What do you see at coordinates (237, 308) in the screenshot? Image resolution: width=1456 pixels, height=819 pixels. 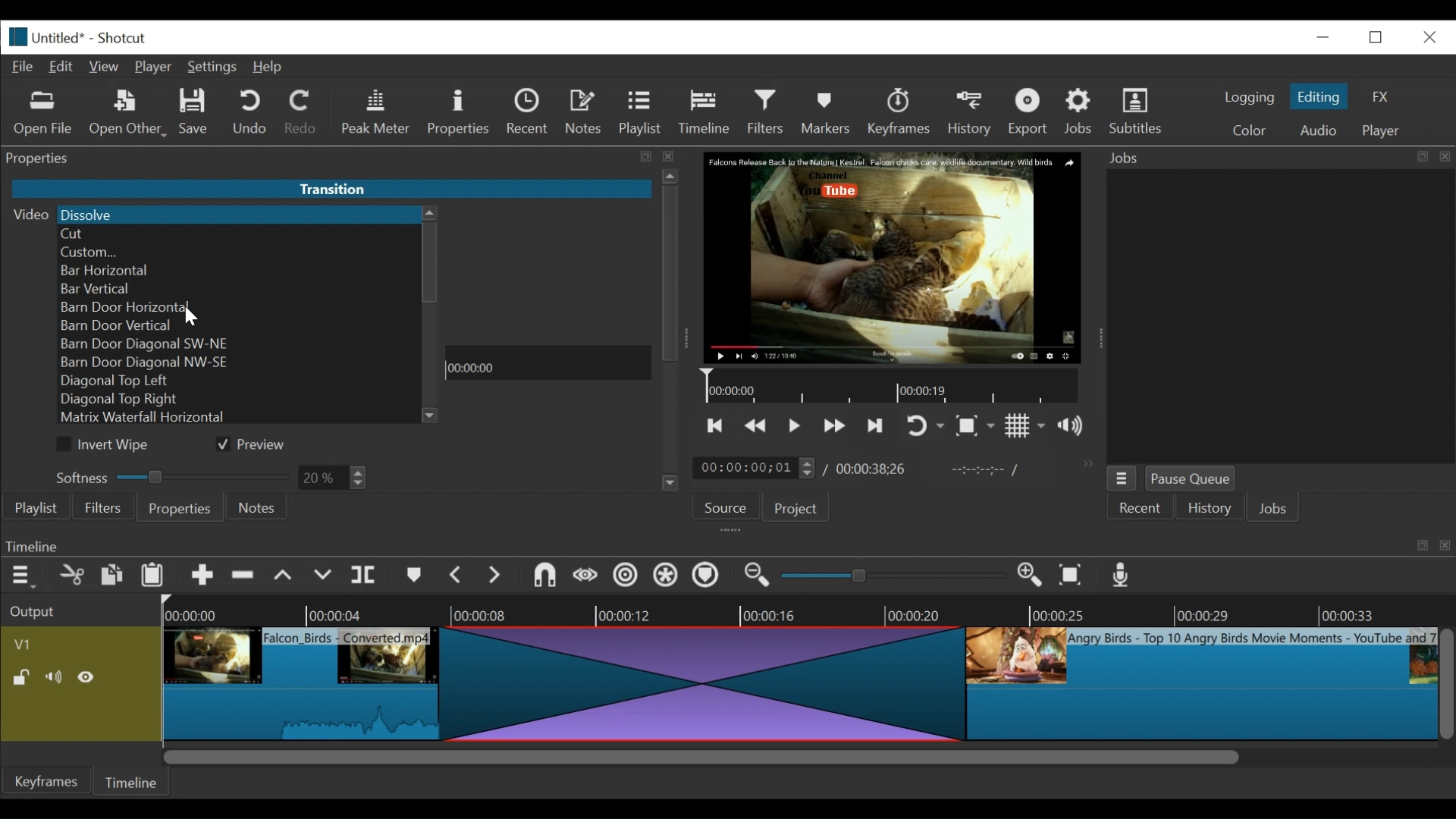 I see `Bar Door Horizontal` at bounding box center [237, 308].